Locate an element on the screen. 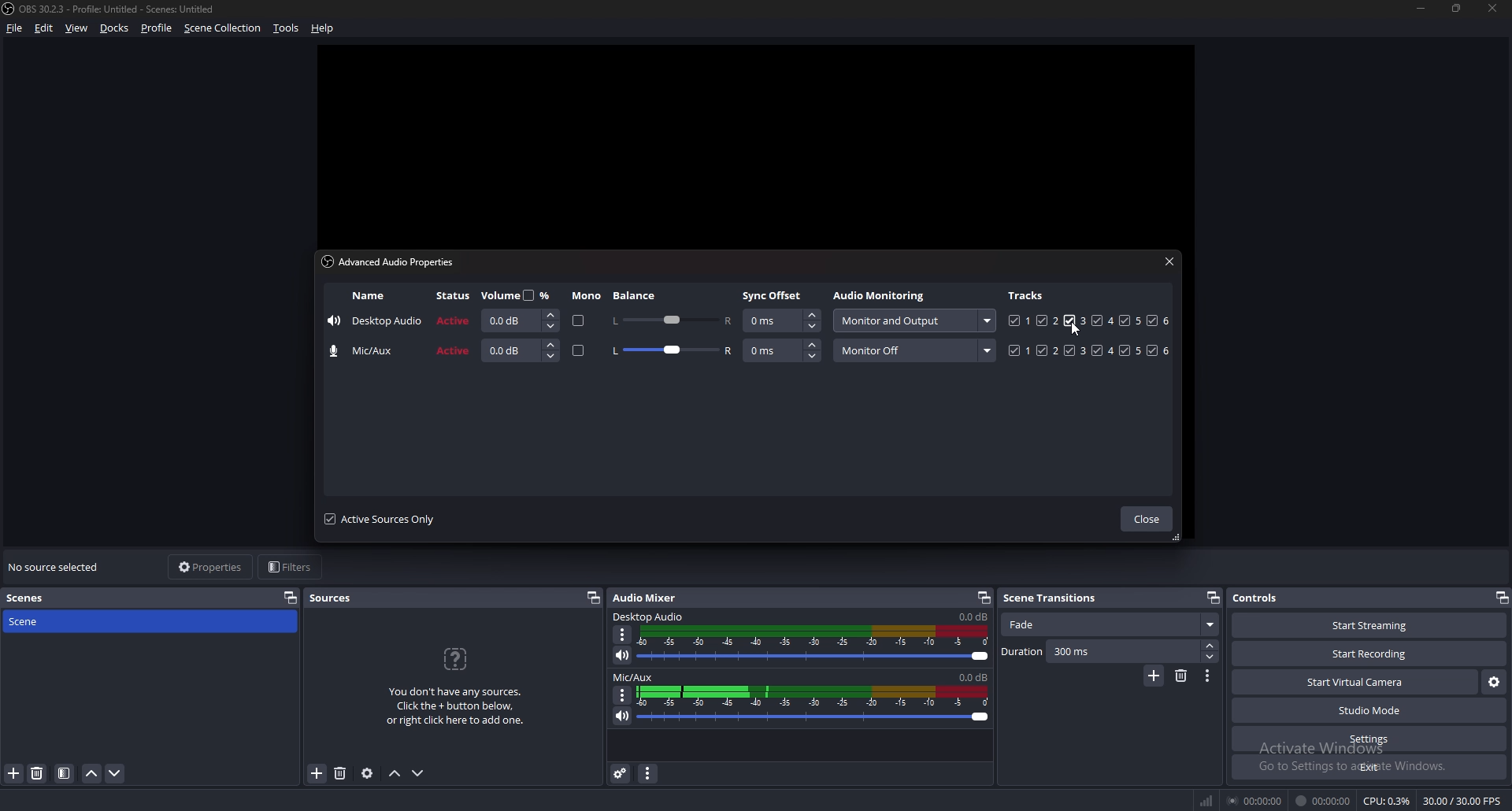 This screenshot has height=811, width=1512. close is located at coordinates (1494, 9).